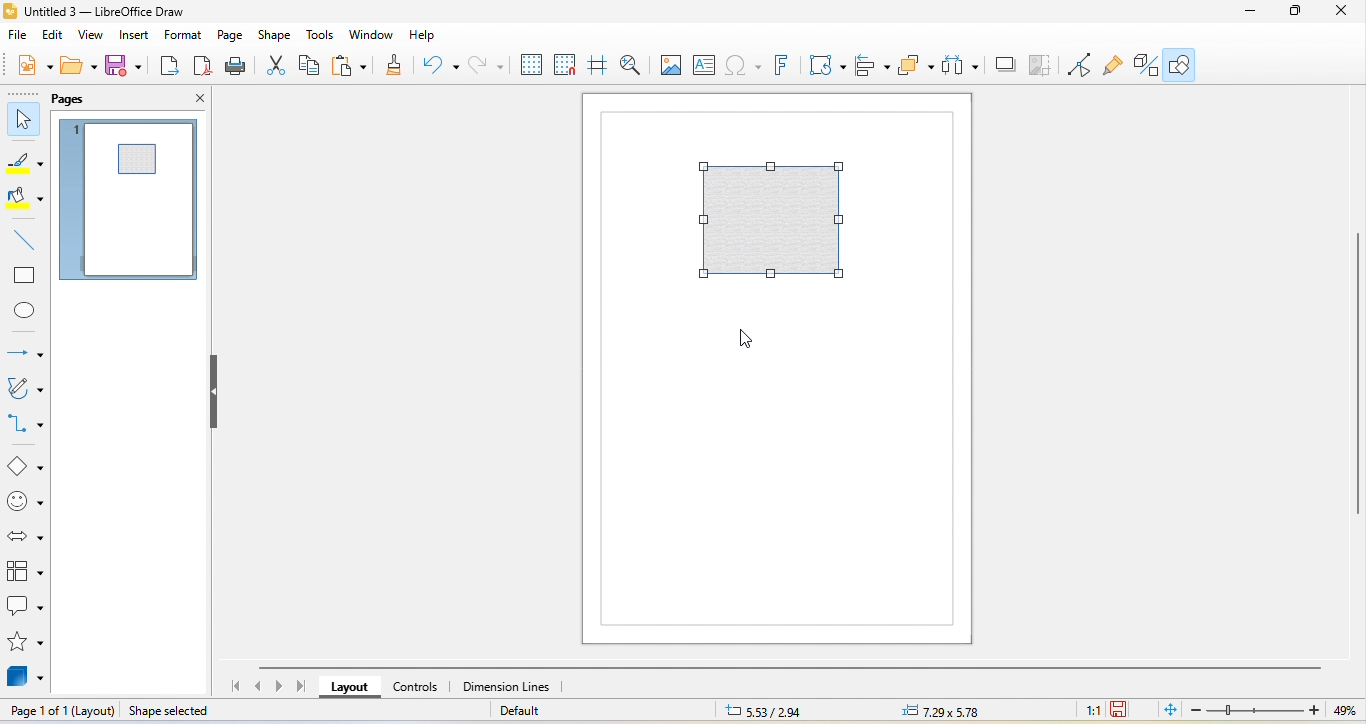  I want to click on 1, so click(79, 135).